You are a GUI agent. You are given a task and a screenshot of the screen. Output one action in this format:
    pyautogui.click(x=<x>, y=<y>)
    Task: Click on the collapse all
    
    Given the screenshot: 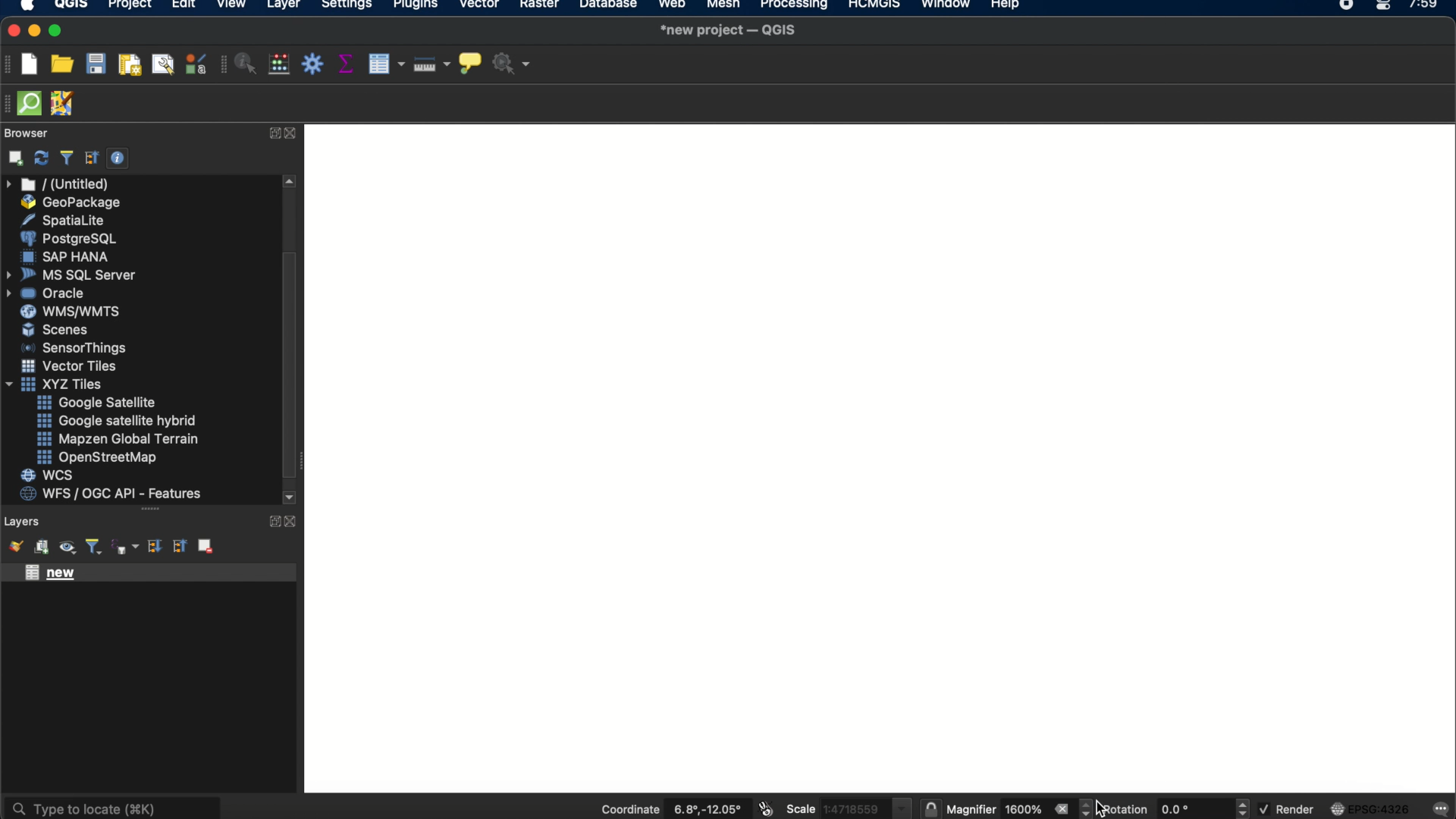 What is the action you would take?
    pyautogui.click(x=92, y=158)
    